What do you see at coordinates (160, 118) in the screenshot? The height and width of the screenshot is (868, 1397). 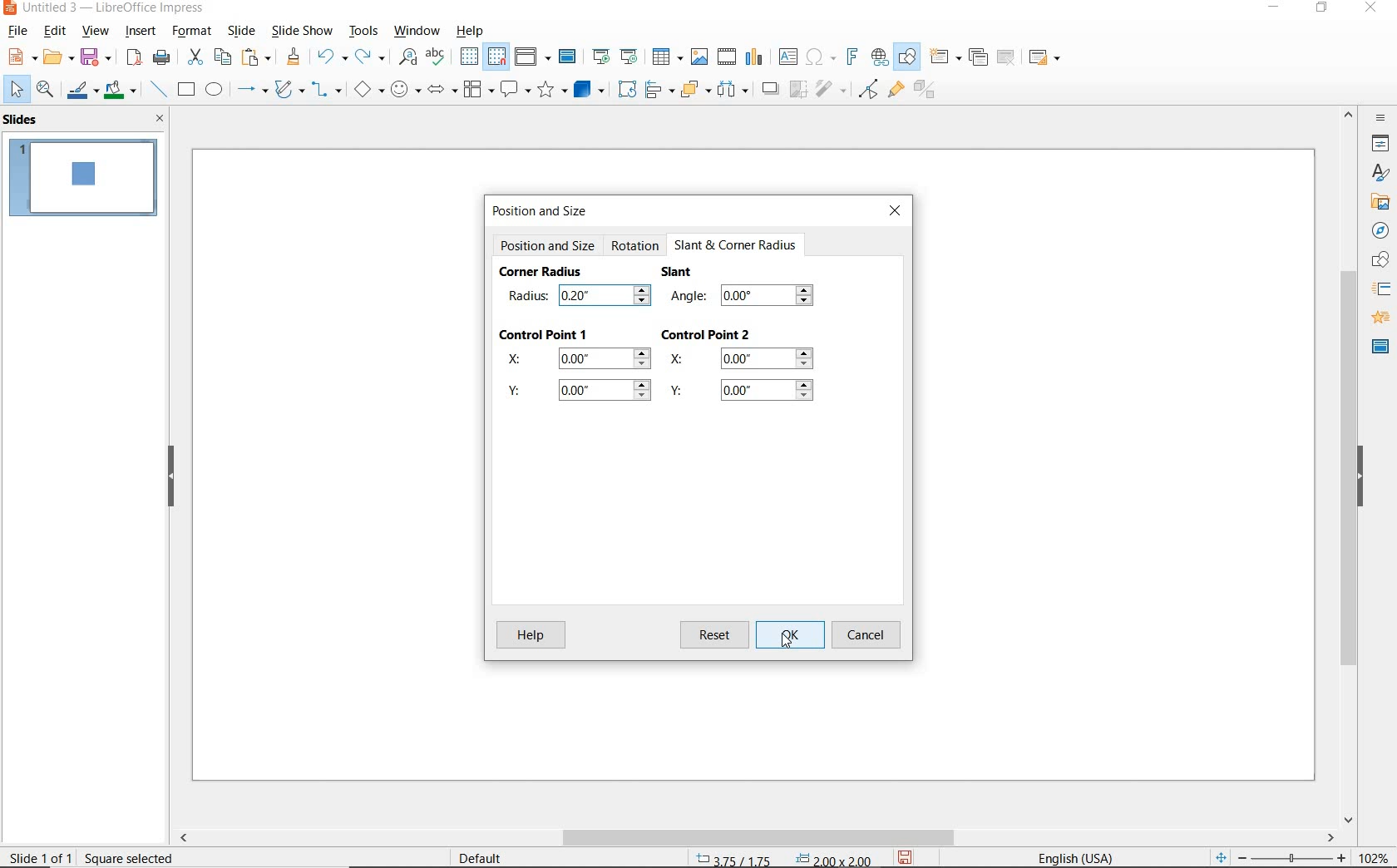 I see `close` at bounding box center [160, 118].